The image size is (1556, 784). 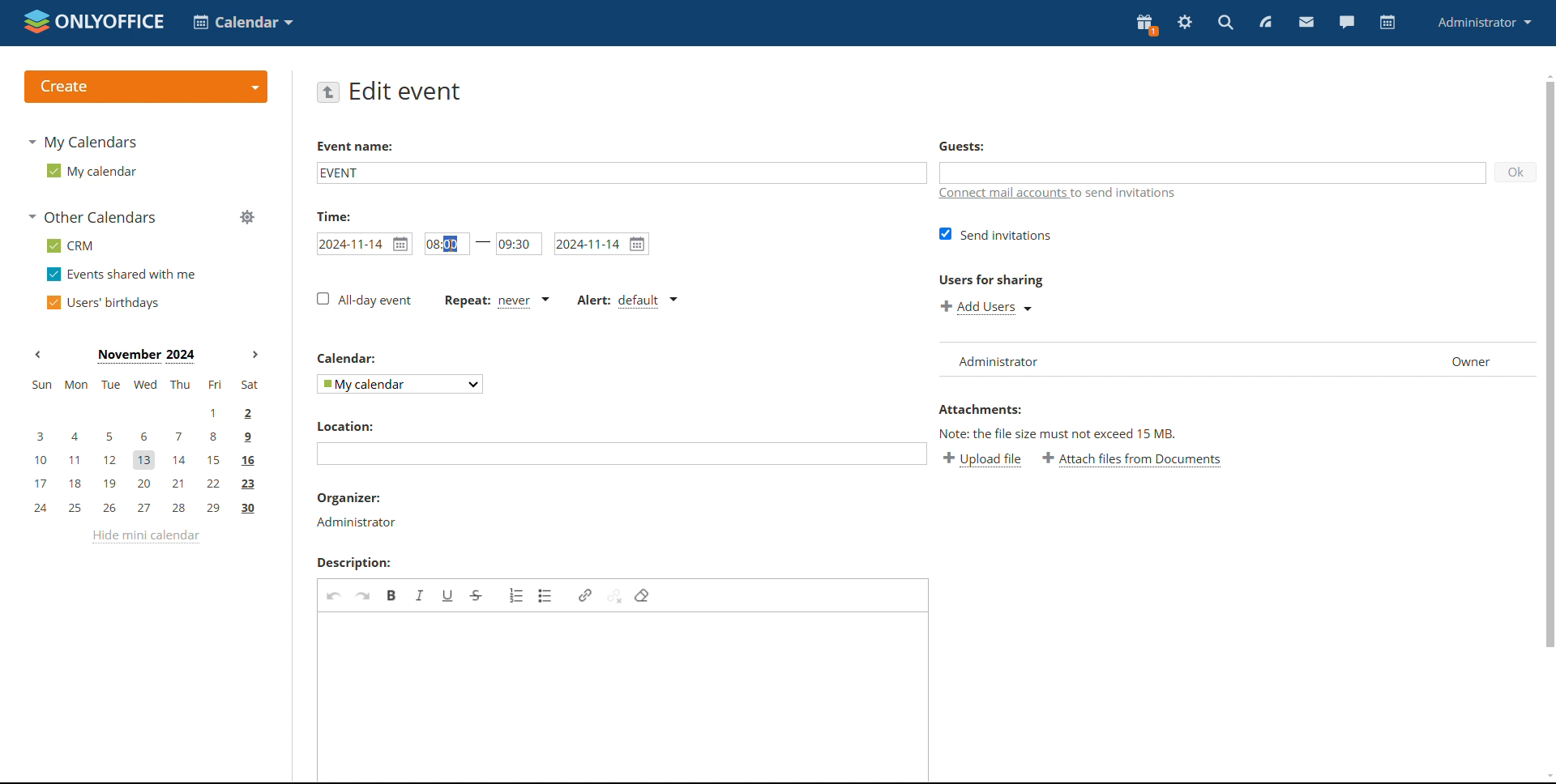 What do you see at coordinates (986, 308) in the screenshot?
I see `add users for sharing` at bounding box center [986, 308].